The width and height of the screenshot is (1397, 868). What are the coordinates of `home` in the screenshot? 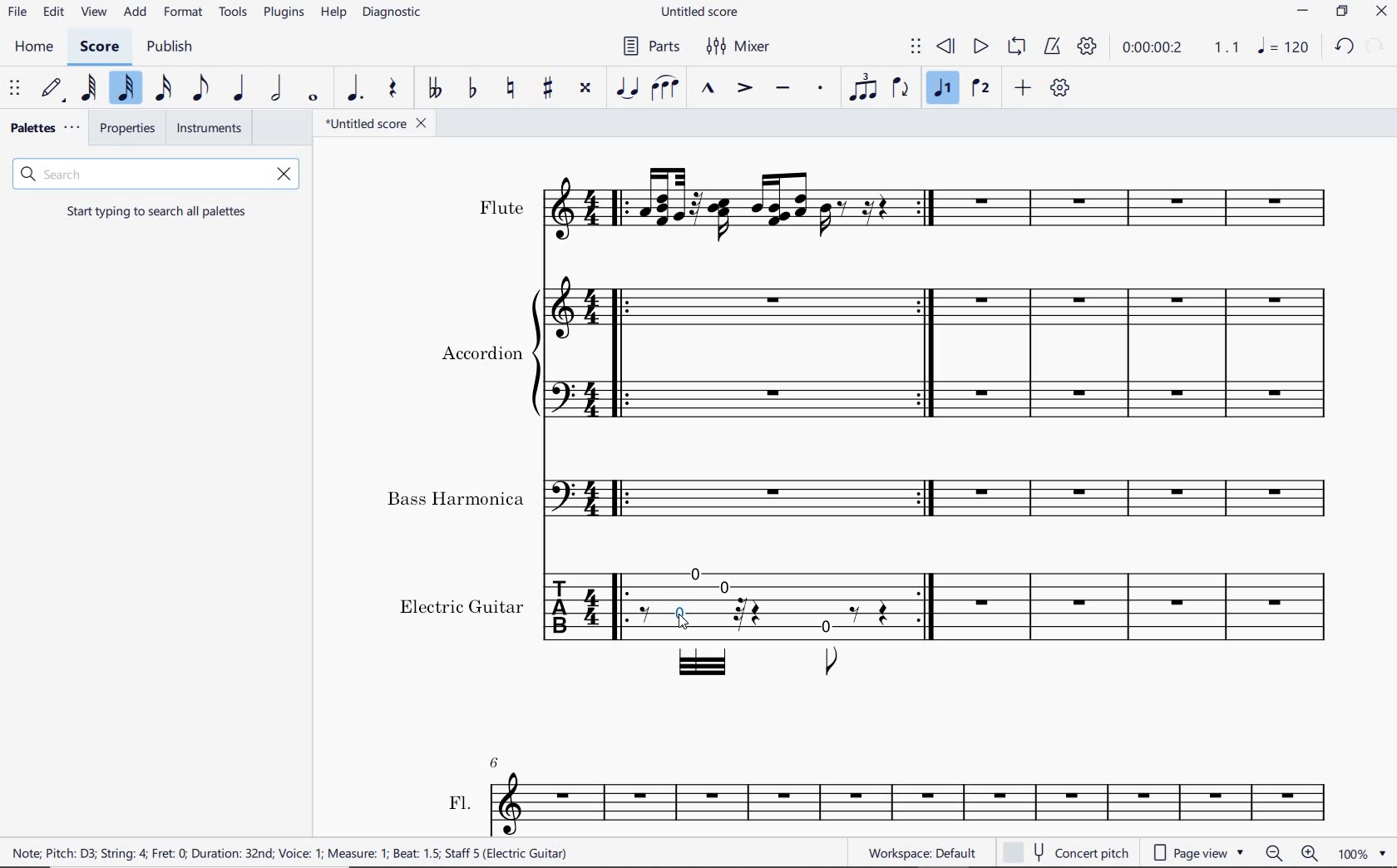 It's located at (32, 47).